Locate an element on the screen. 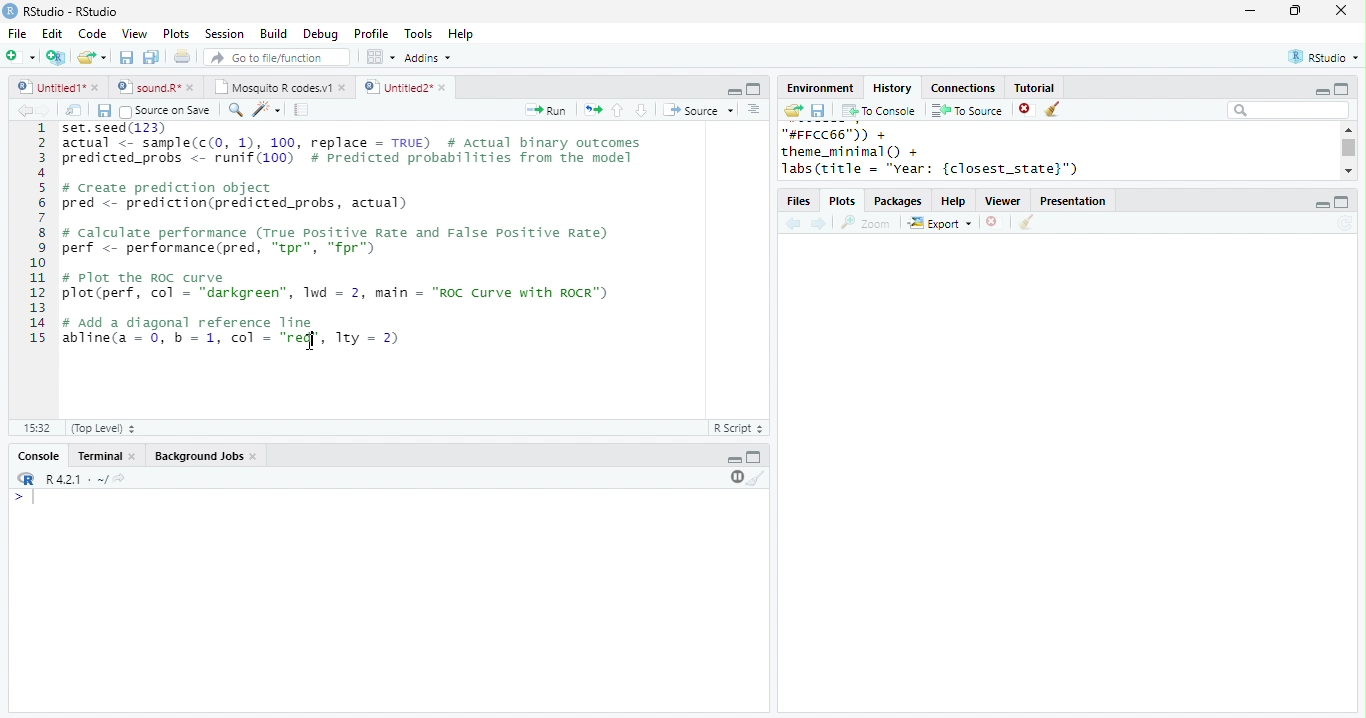 The height and width of the screenshot is (718, 1366). History is located at coordinates (892, 88).